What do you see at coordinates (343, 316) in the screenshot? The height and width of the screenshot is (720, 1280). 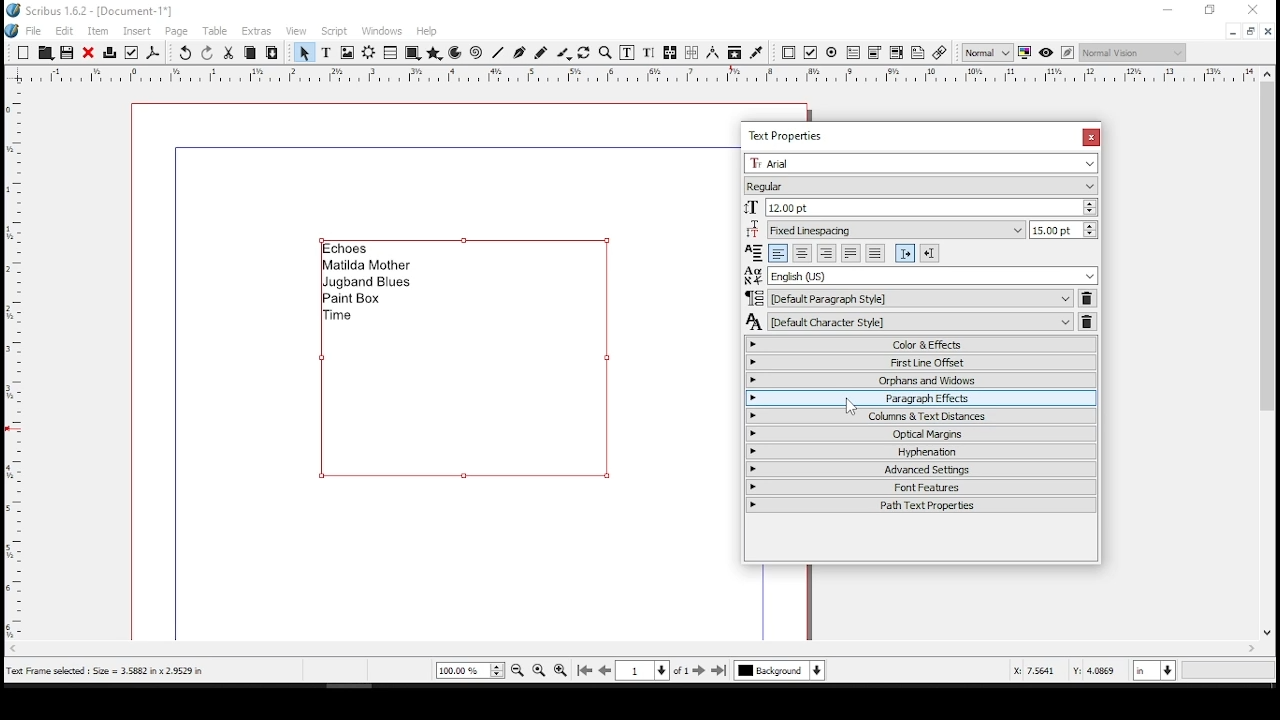 I see `time` at bounding box center [343, 316].